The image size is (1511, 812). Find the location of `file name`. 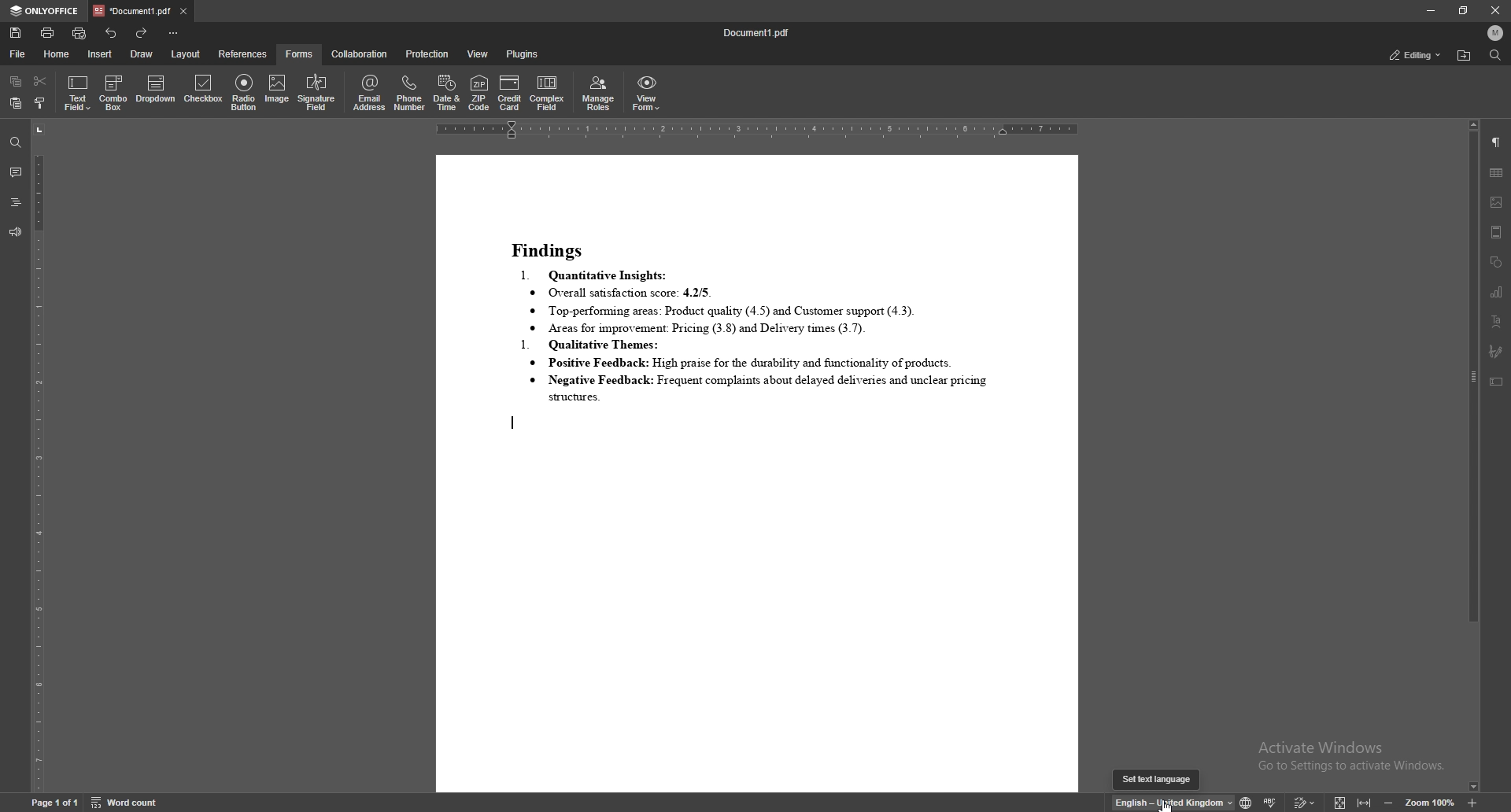

file name is located at coordinates (758, 35).